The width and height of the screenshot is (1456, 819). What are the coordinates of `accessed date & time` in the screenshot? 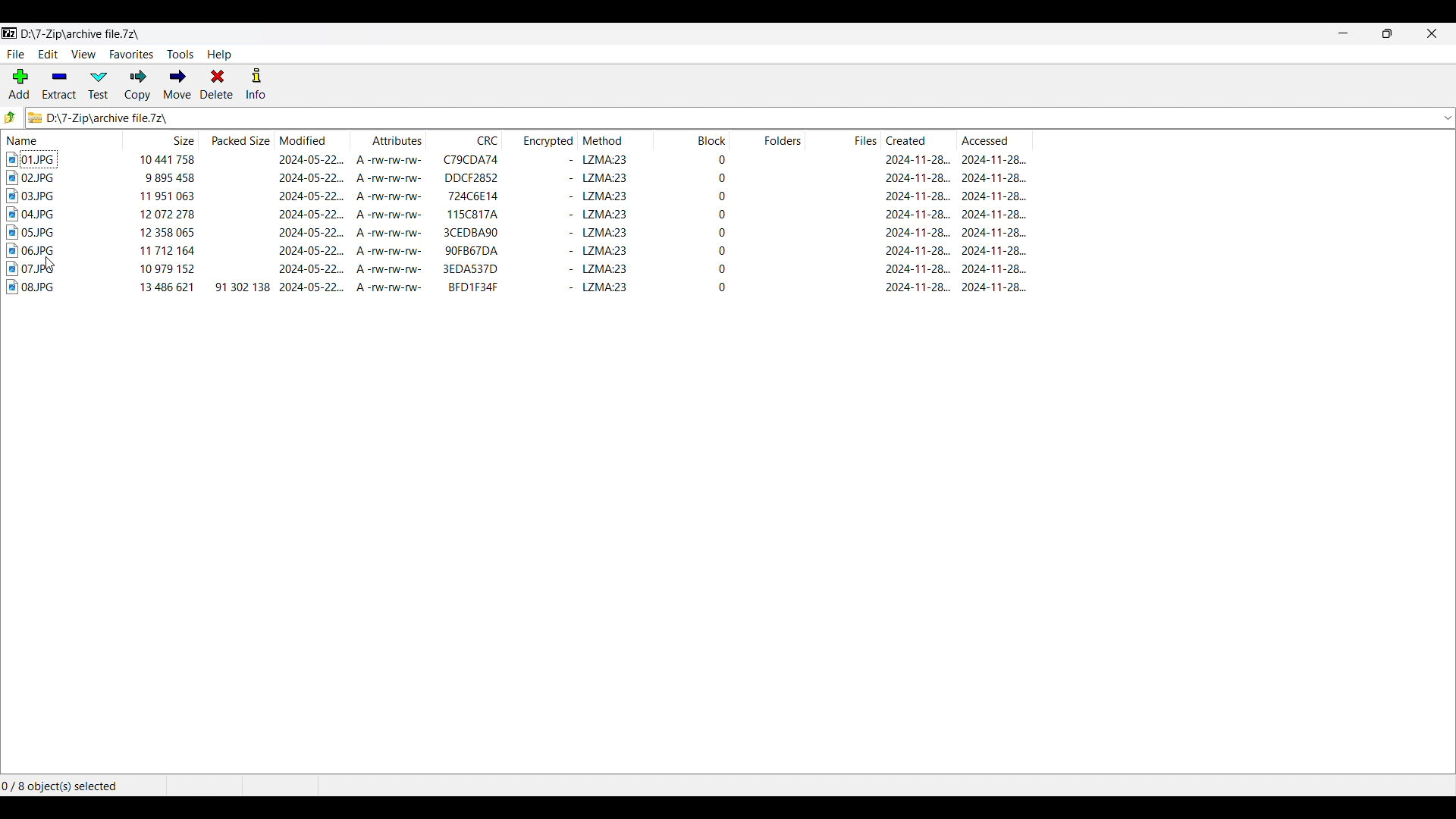 It's located at (994, 158).